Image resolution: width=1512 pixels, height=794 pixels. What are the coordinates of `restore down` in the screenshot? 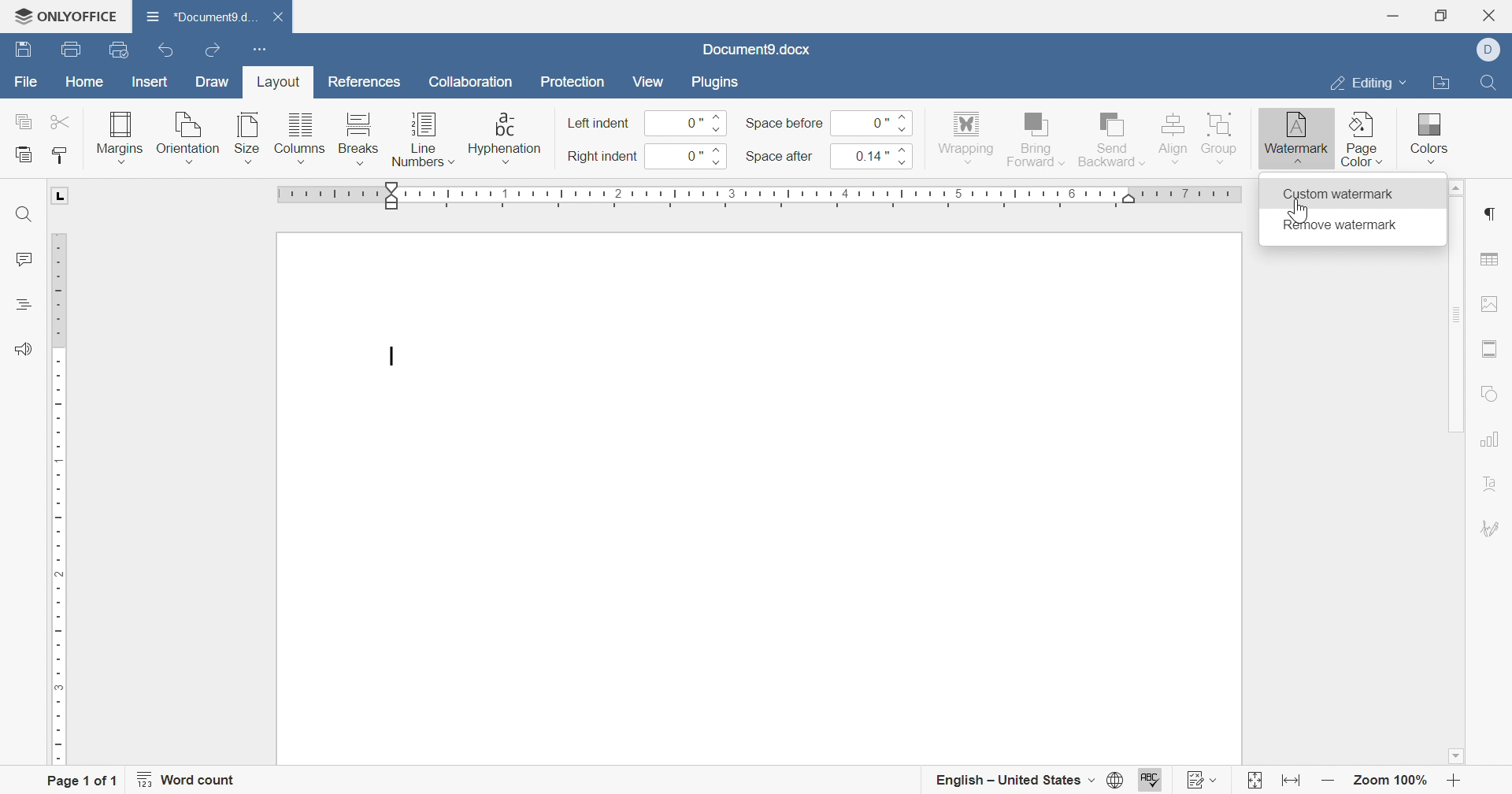 It's located at (1446, 15).